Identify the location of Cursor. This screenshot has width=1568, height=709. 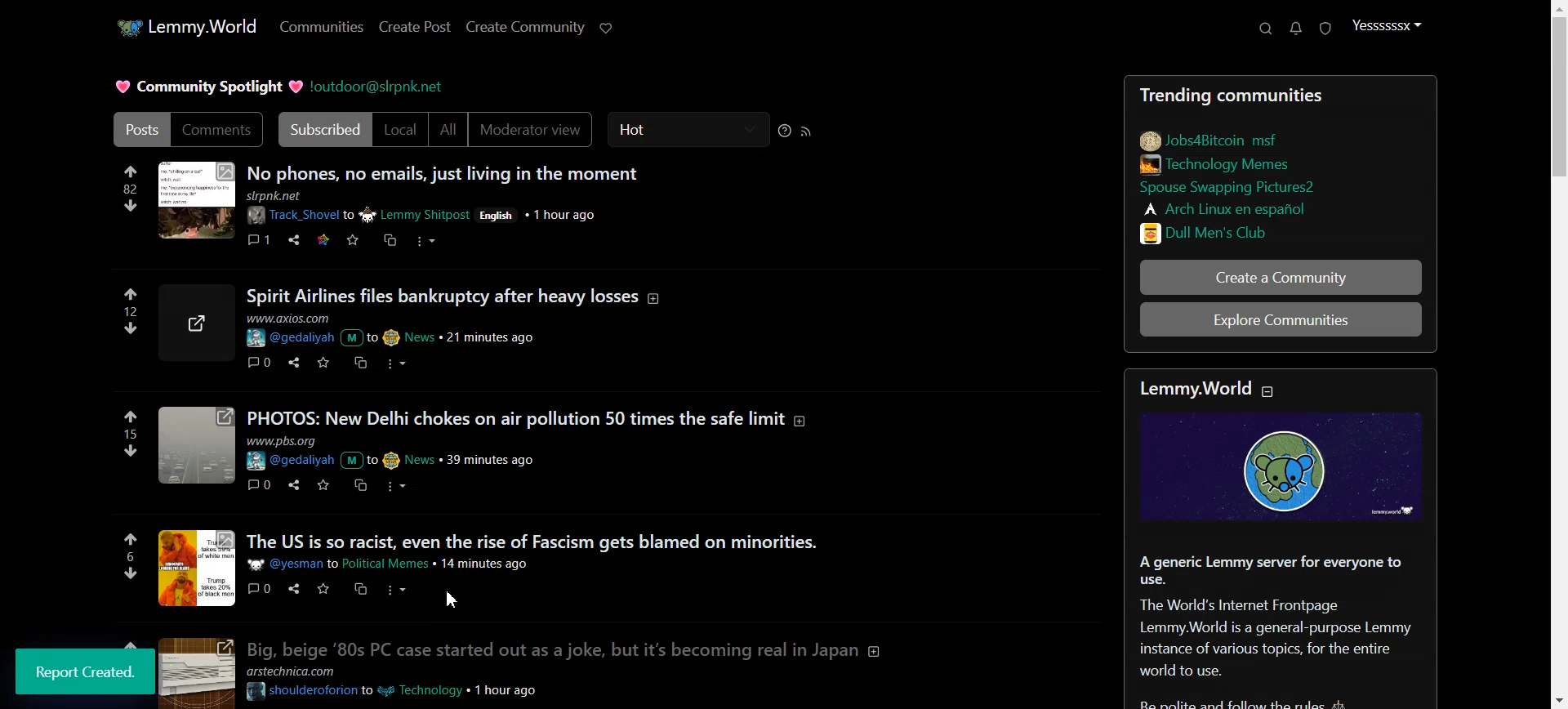
(452, 597).